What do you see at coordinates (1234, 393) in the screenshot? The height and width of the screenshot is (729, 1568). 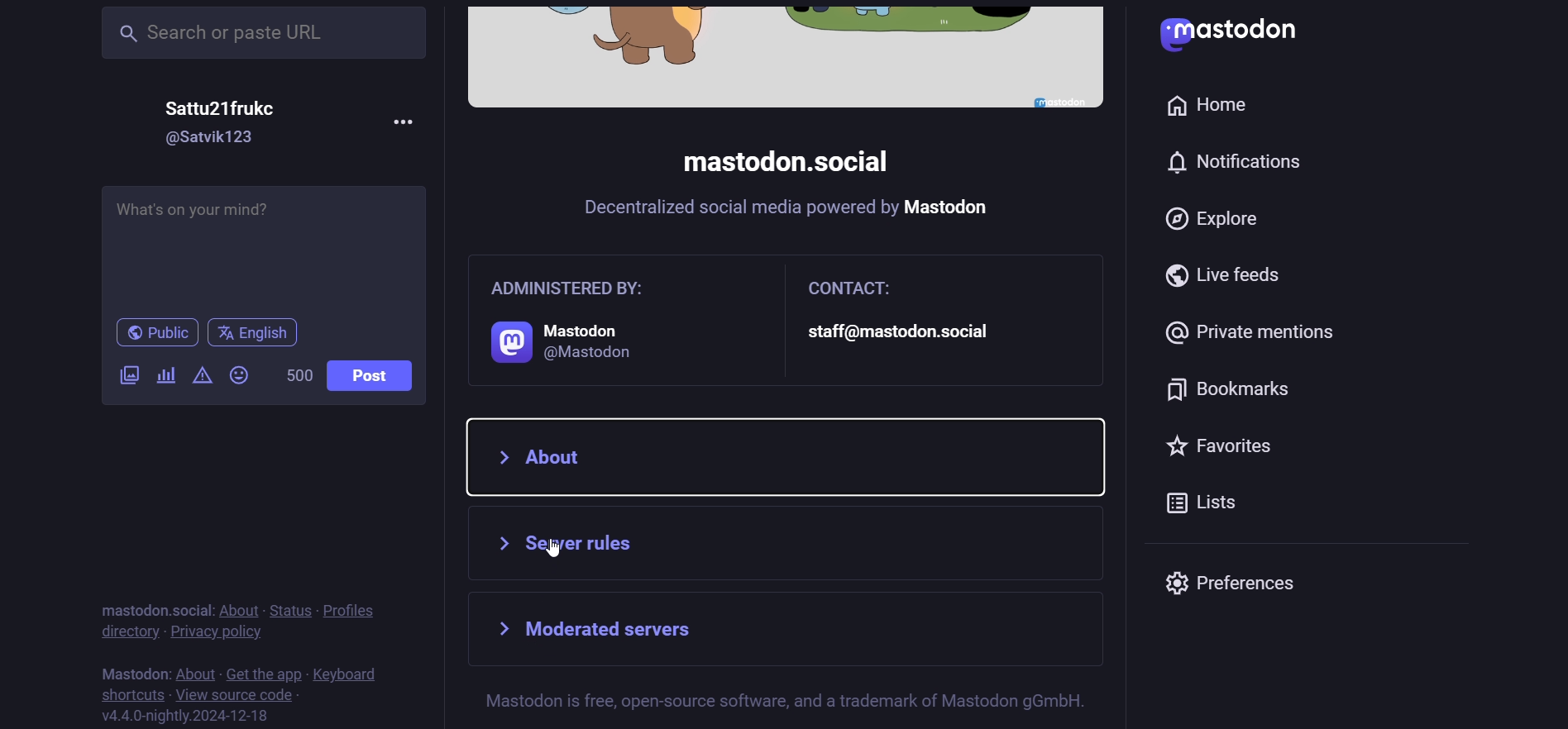 I see `bookmark` at bounding box center [1234, 393].